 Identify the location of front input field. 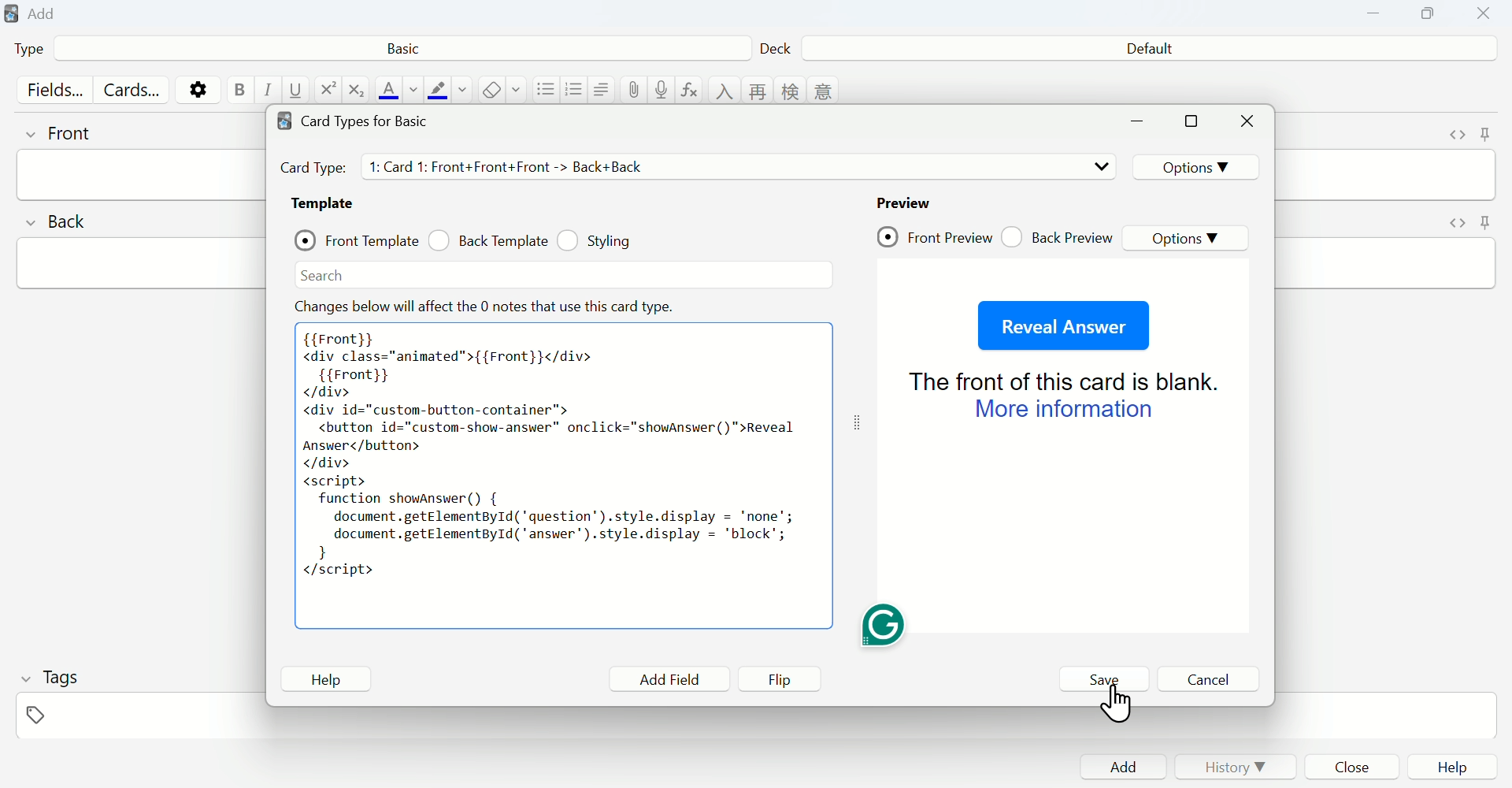
(141, 174).